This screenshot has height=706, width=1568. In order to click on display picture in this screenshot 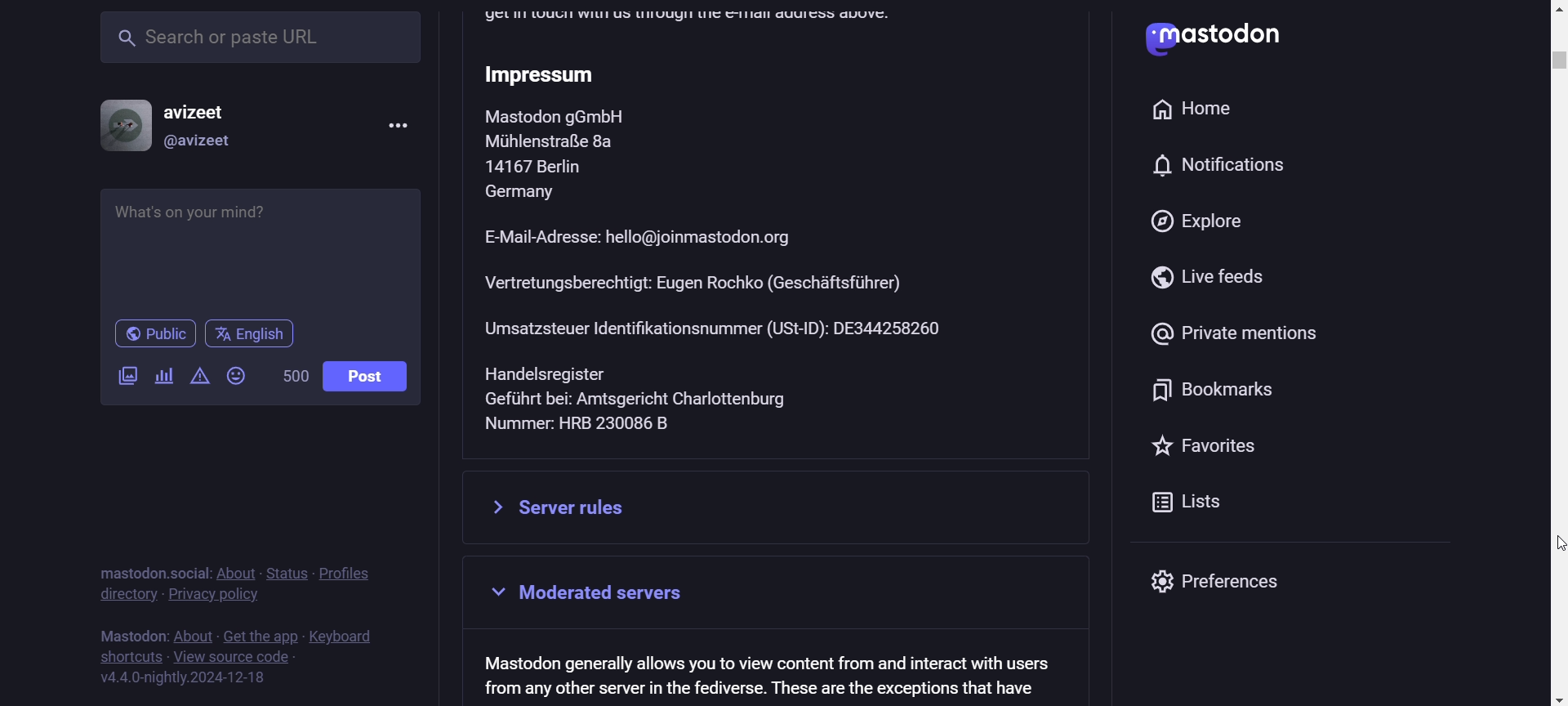, I will do `click(118, 123)`.